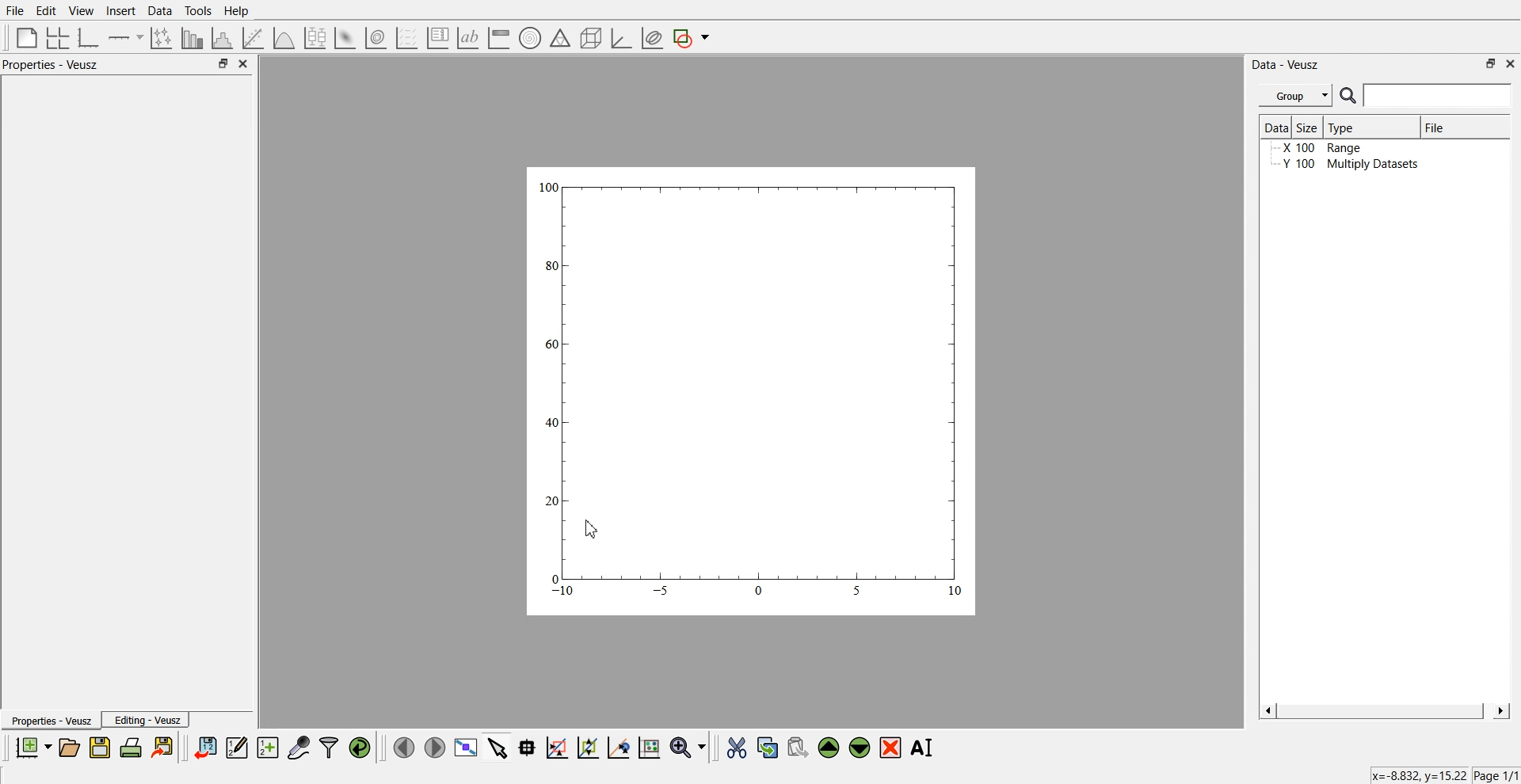 This screenshot has width=1521, height=784. I want to click on export, so click(164, 747).